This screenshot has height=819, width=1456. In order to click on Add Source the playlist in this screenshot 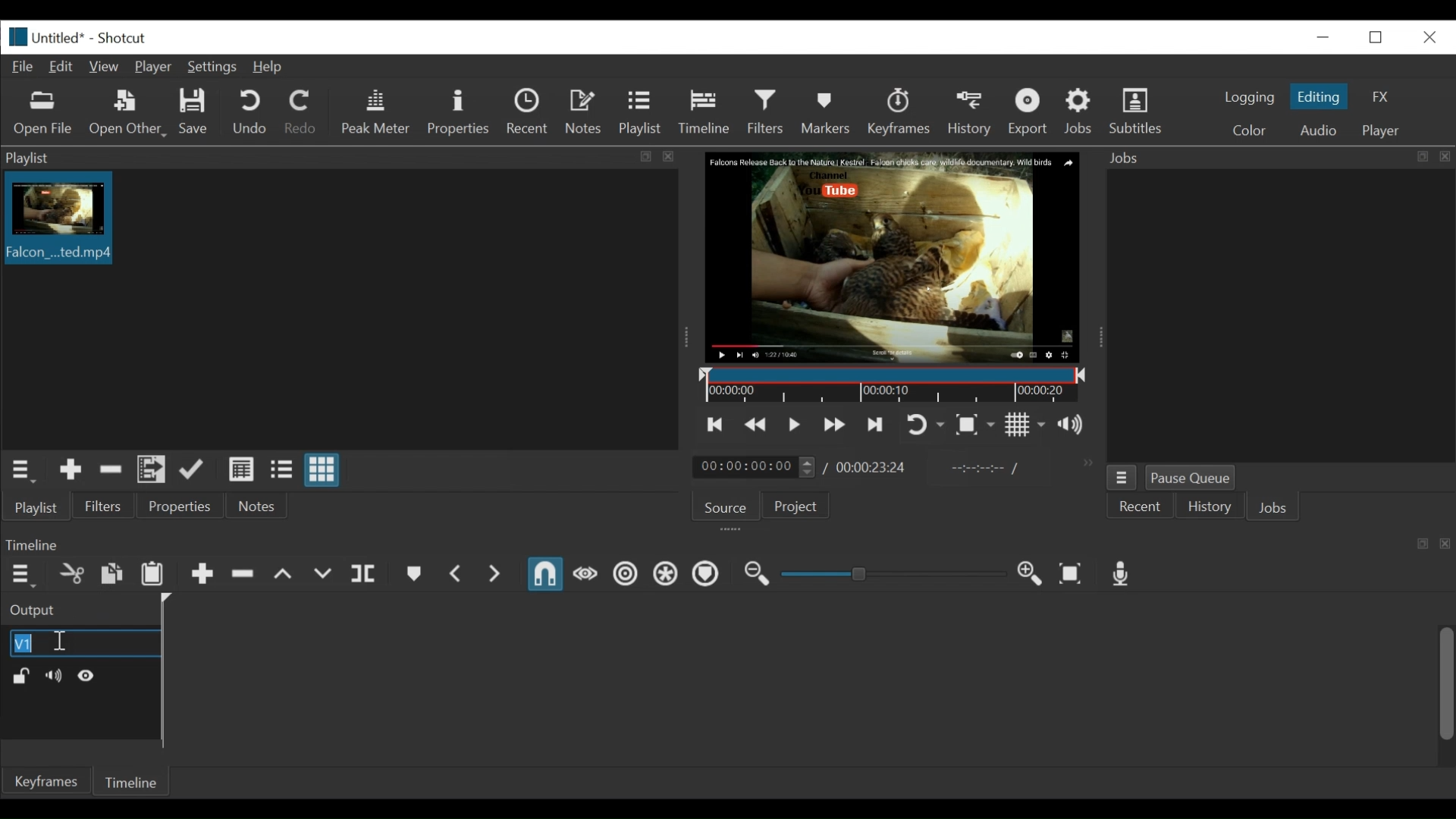, I will do `click(70, 471)`.